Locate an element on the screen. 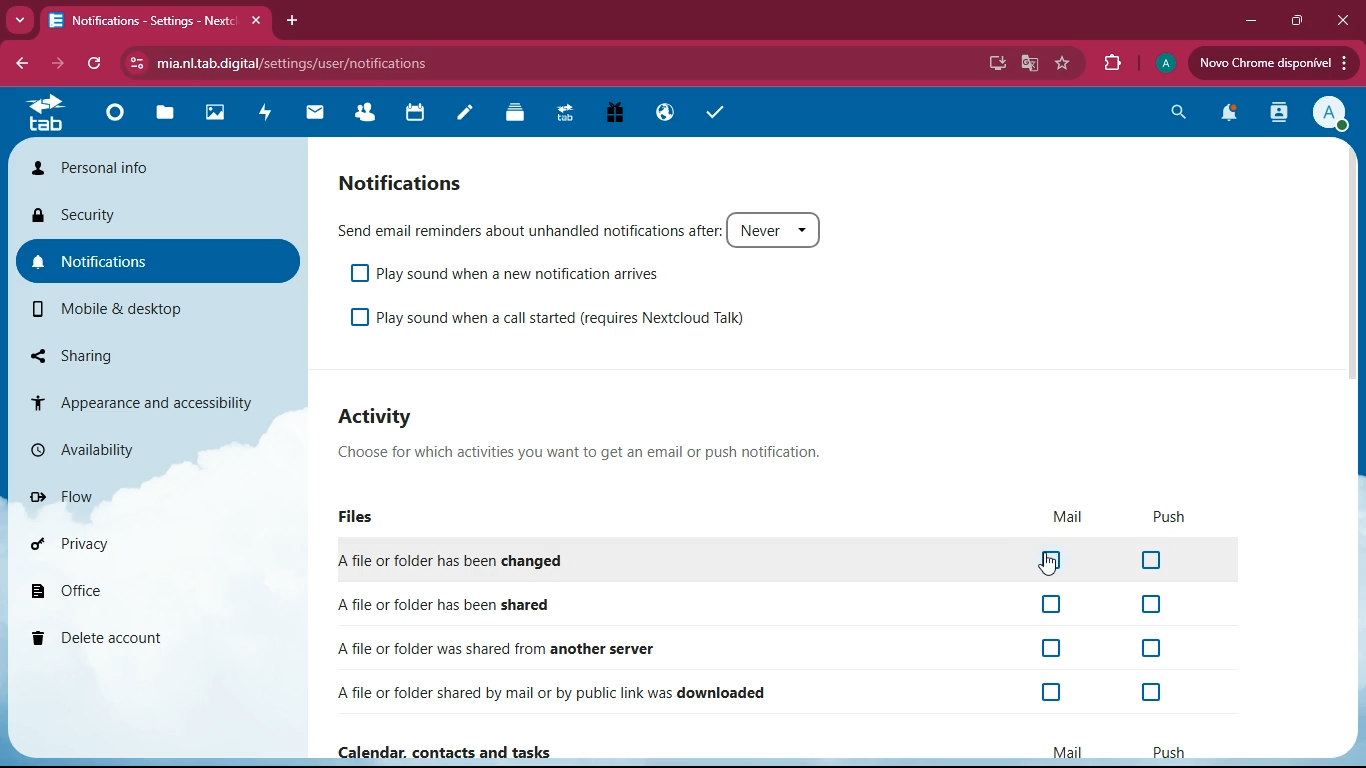 The width and height of the screenshot is (1366, 768). tab is located at coordinates (569, 116).